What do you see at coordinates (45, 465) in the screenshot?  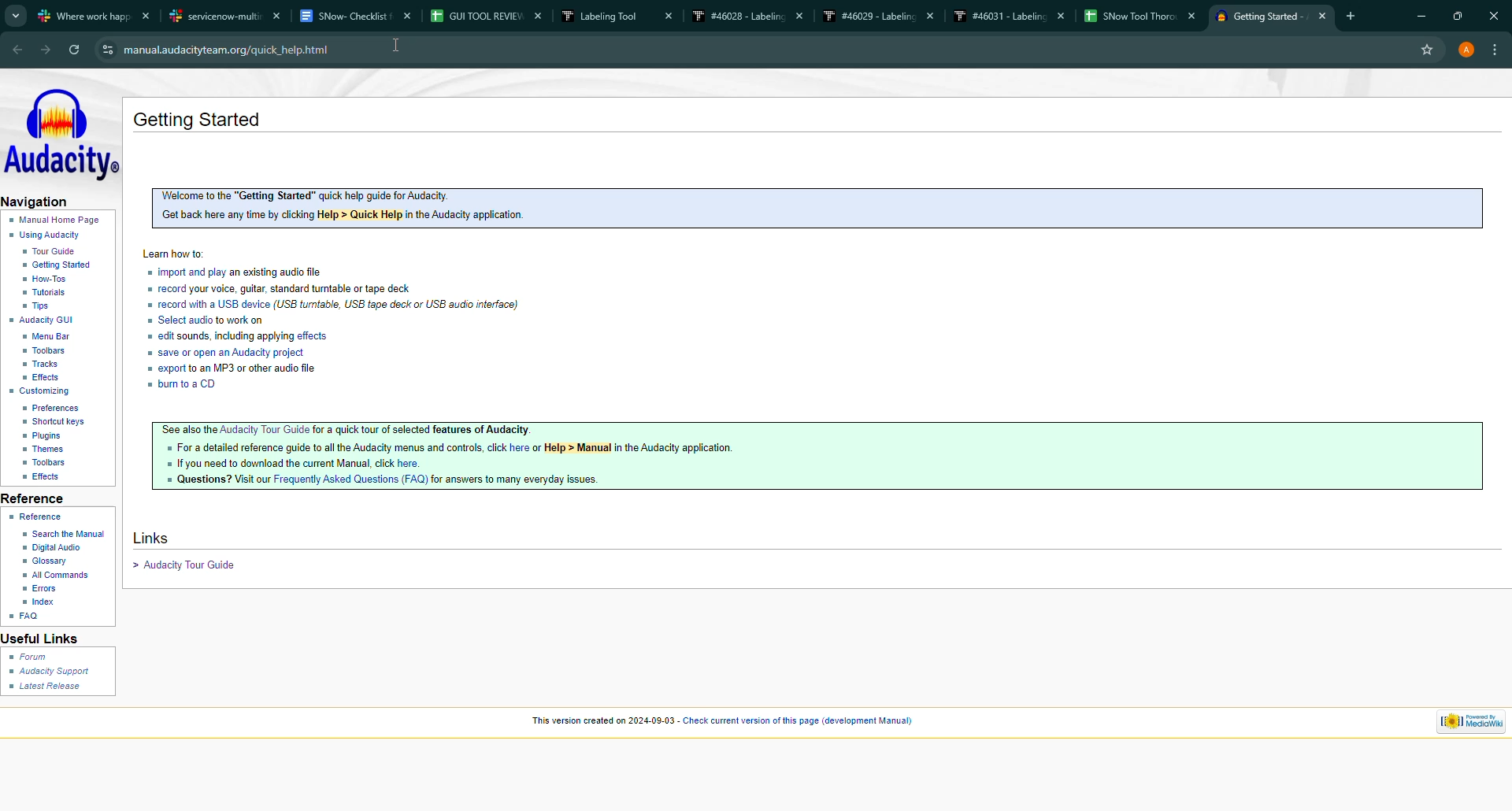 I see `toolbar` at bounding box center [45, 465].